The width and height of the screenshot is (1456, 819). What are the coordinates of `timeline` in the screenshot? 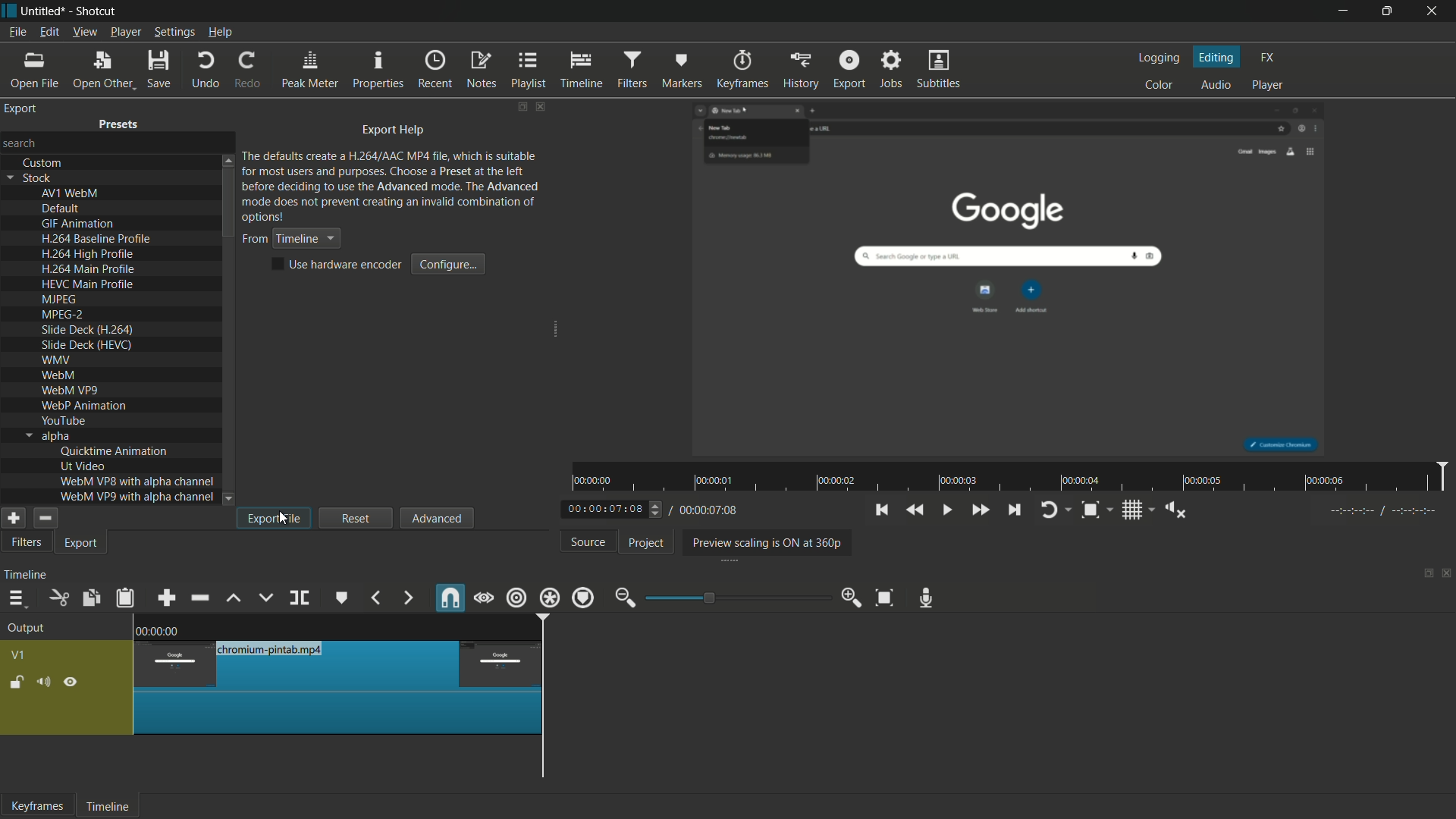 It's located at (105, 808).